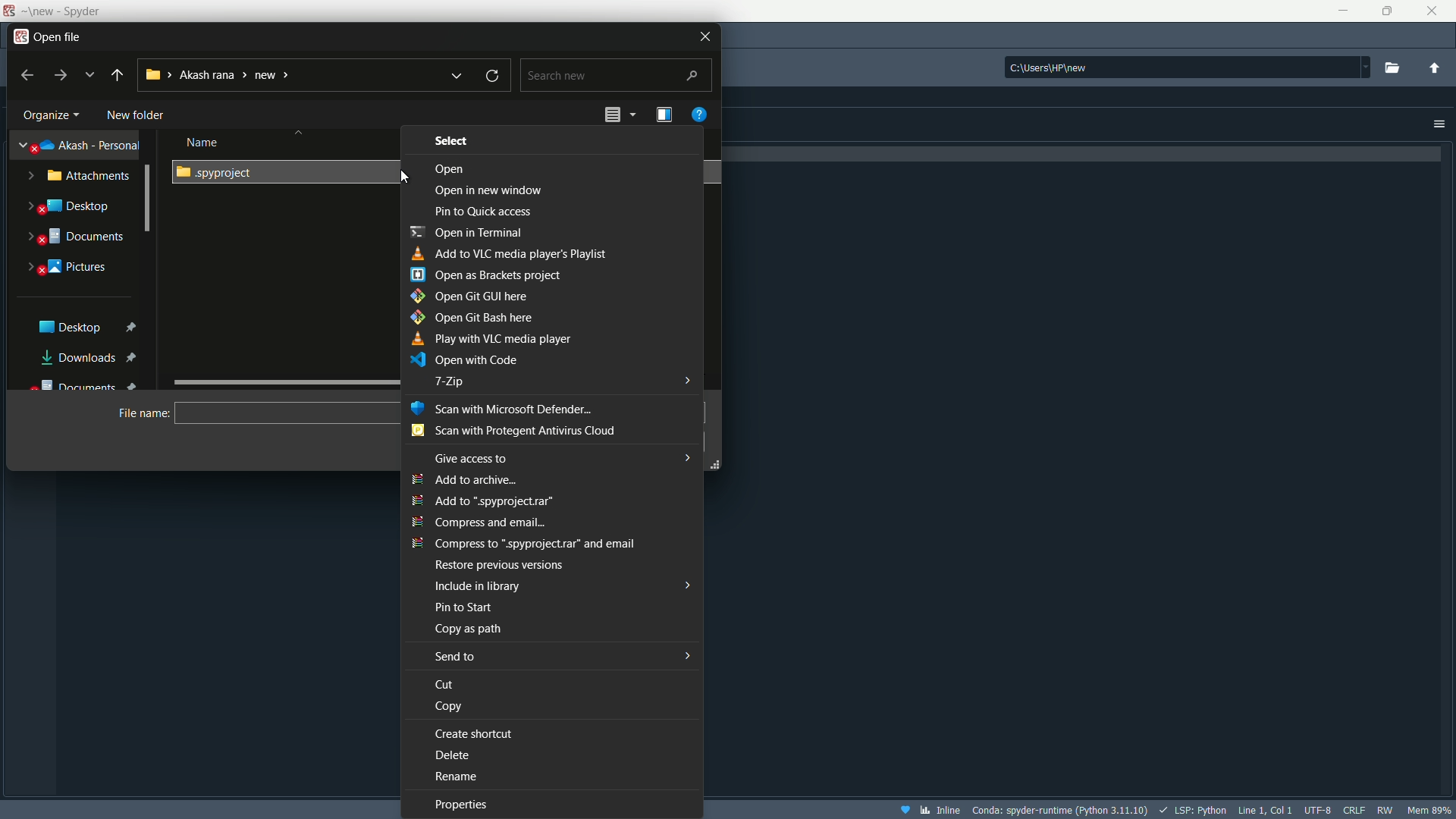  Describe the element at coordinates (480, 733) in the screenshot. I see `Create shortcut` at that location.